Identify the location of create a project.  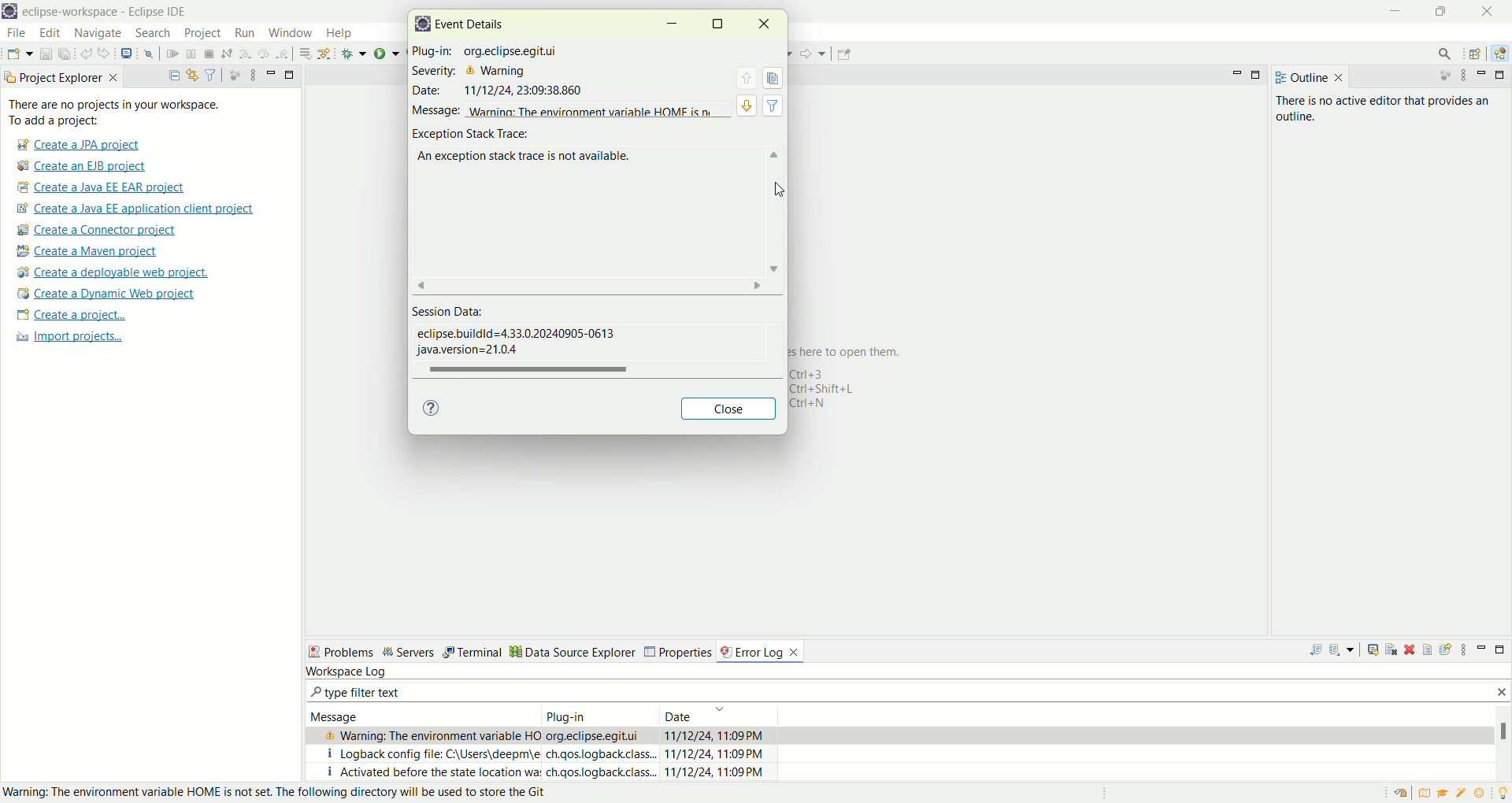
(69, 316).